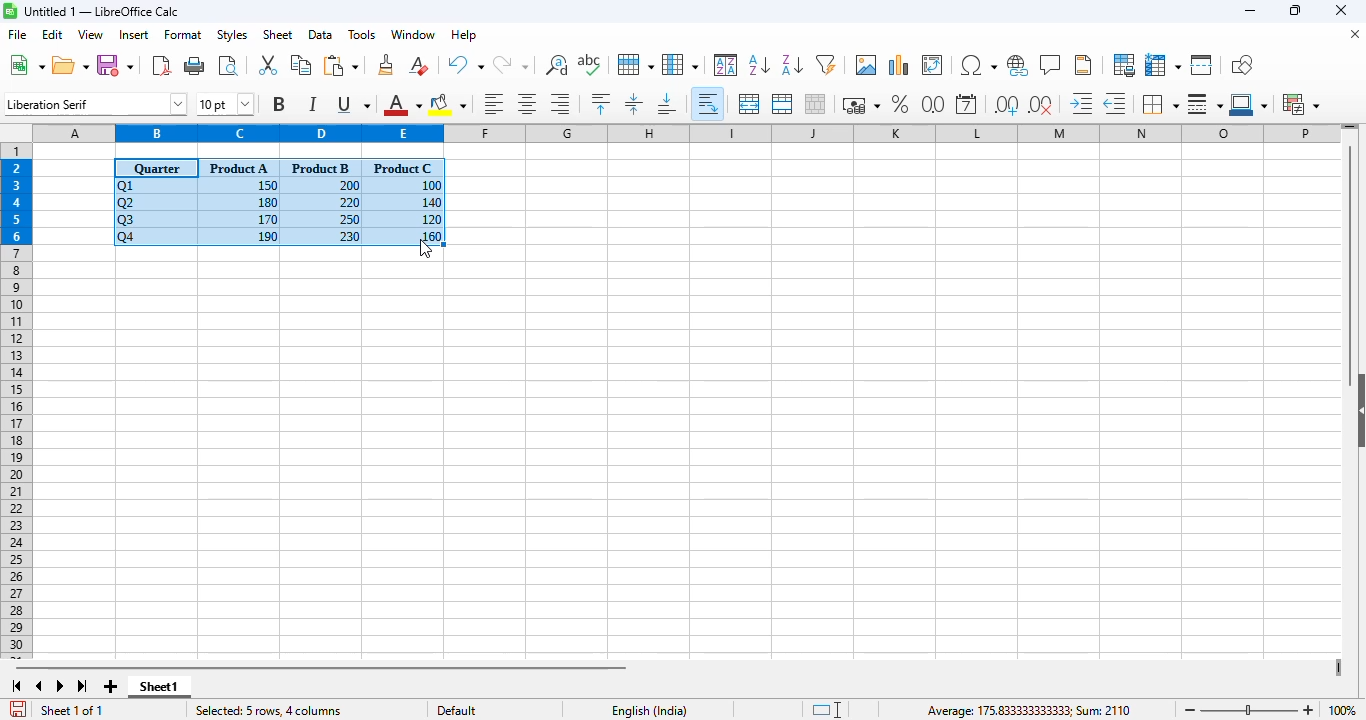  What do you see at coordinates (161, 64) in the screenshot?
I see `export directly as PDF` at bounding box center [161, 64].